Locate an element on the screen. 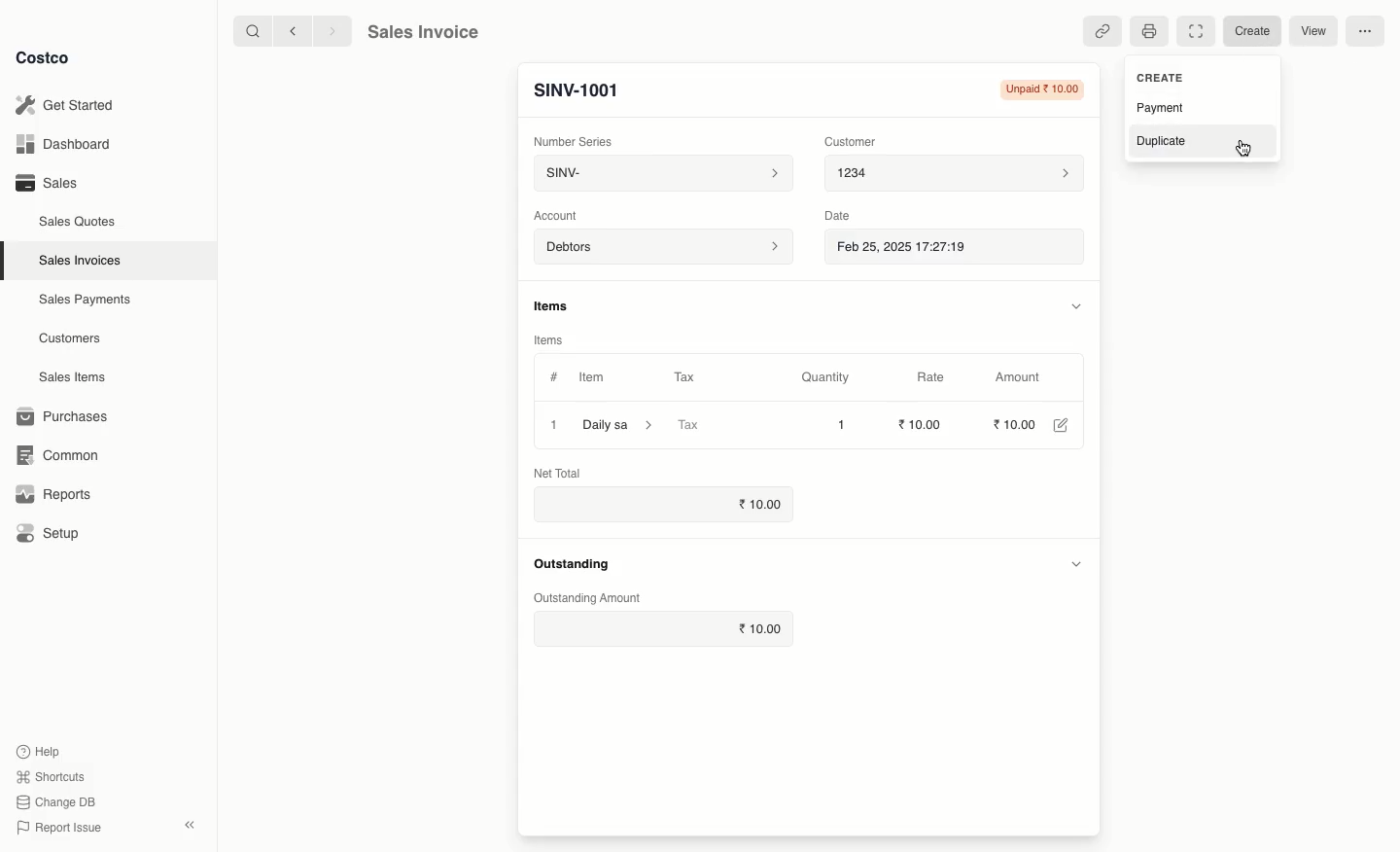 The image size is (1400, 852). Sales Payments is located at coordinates (81, 301).